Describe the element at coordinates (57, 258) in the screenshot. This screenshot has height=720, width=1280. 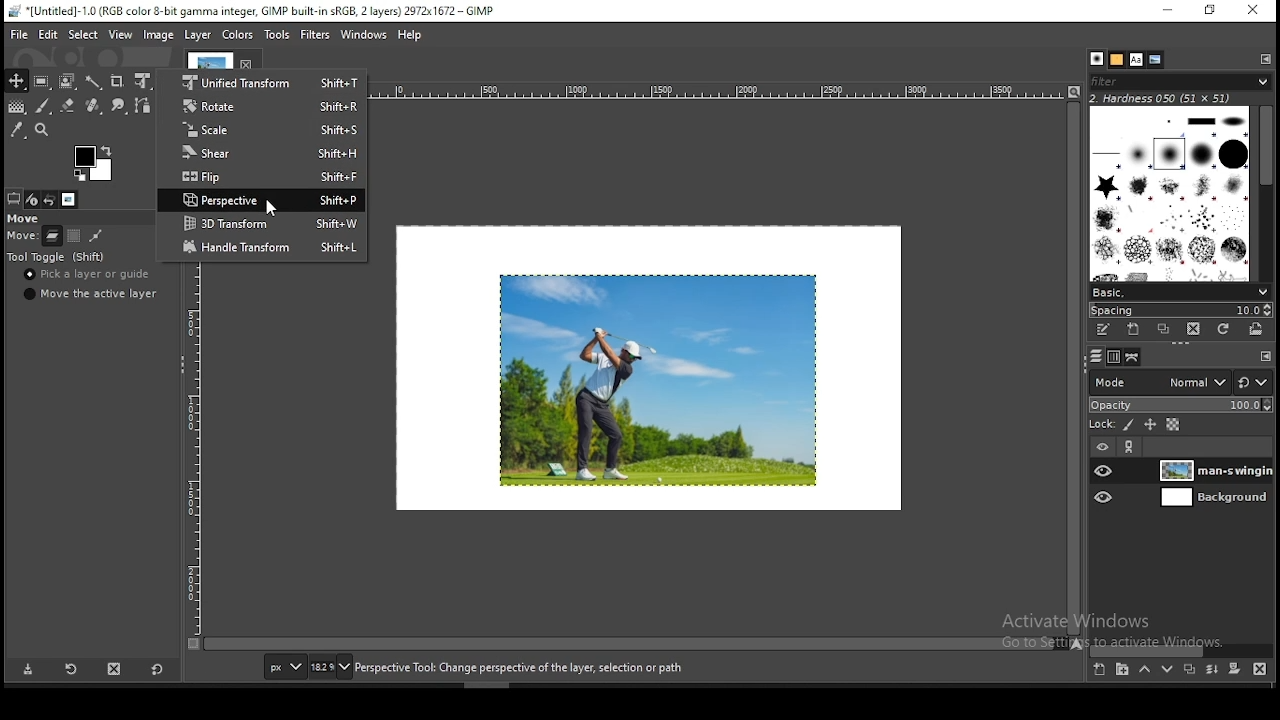
I see `tool toggle` at that location.